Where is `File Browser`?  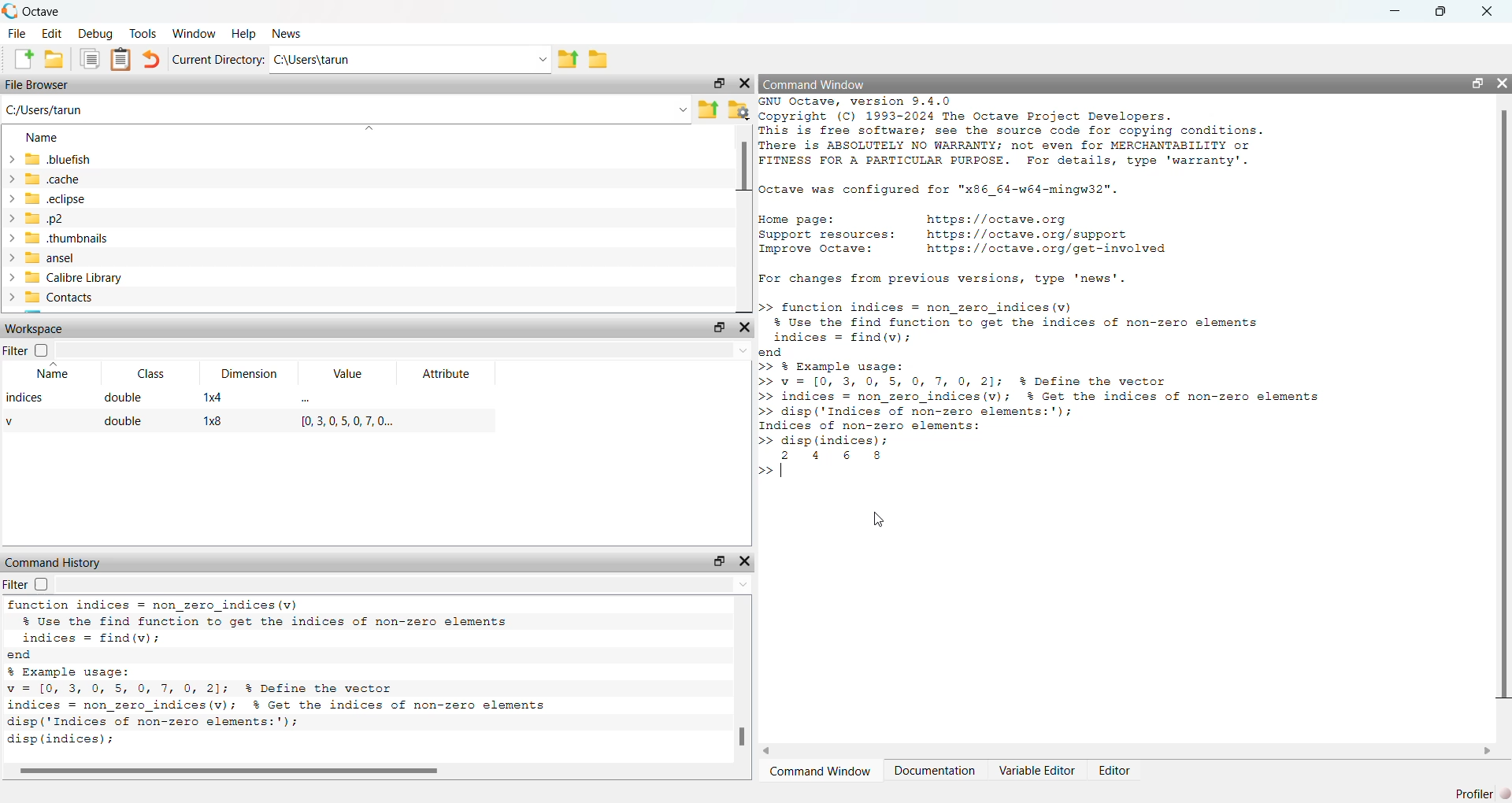 File Browser is located at coordinates (40, 86).